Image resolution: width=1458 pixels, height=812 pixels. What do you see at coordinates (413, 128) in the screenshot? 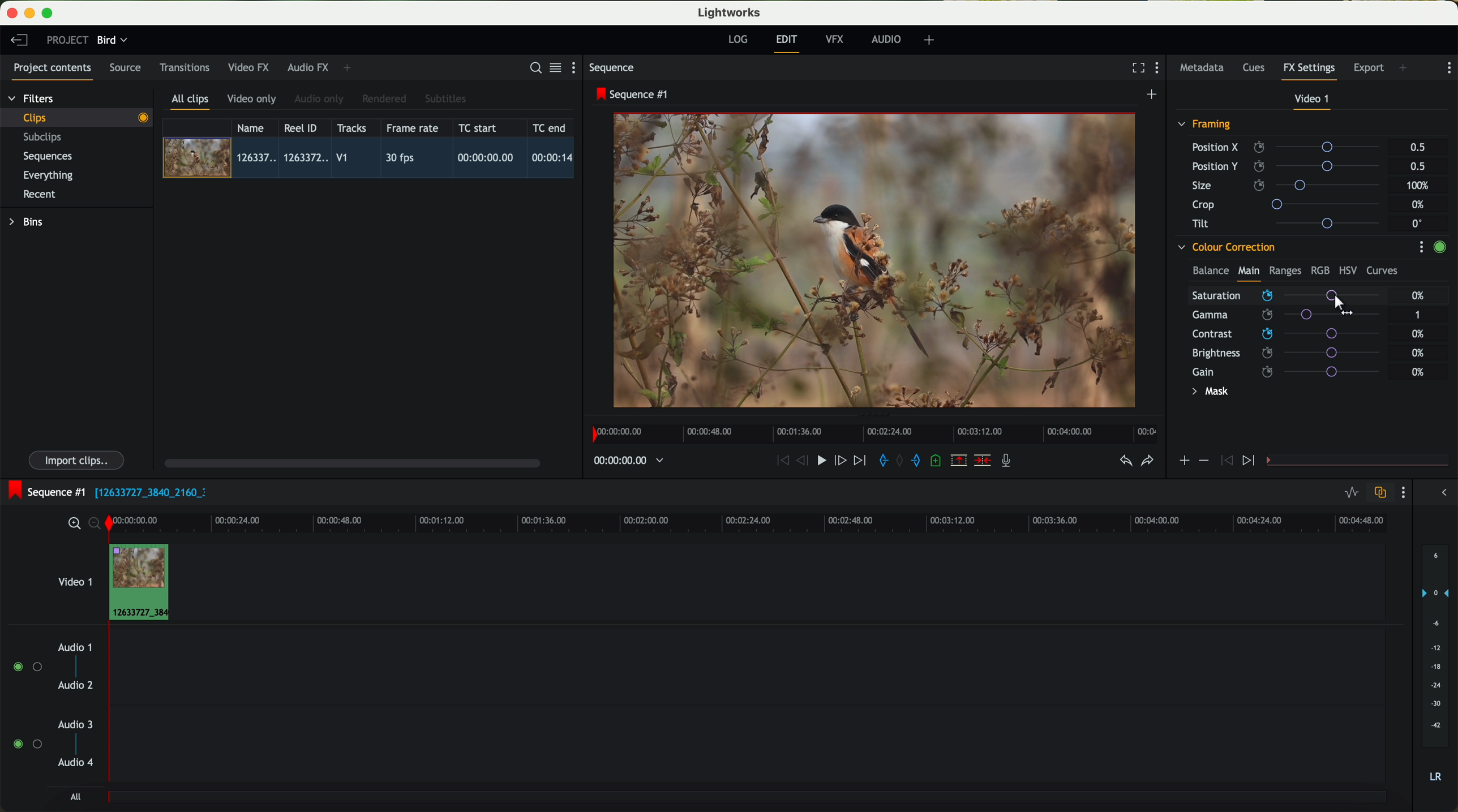
I see `frame rate` at bounding box center [413, 128].